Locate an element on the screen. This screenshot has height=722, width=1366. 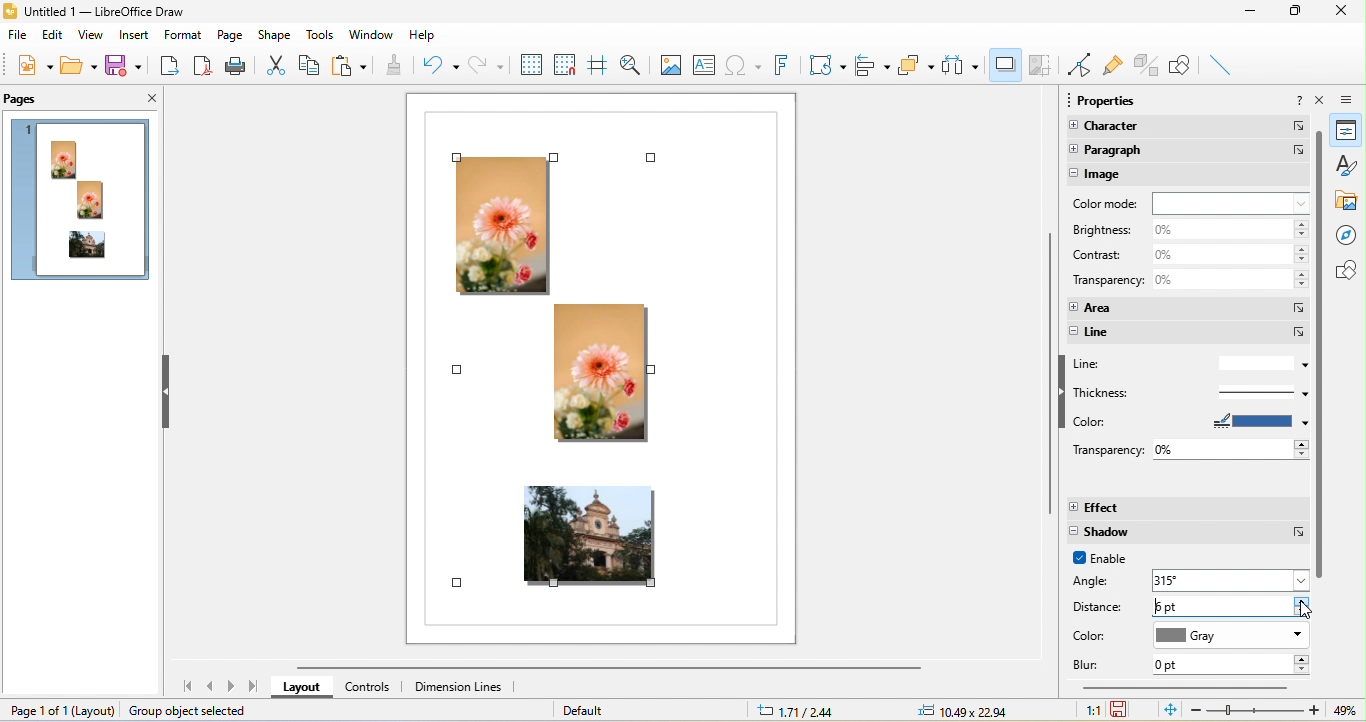
previous page is located at coordinates (211, 687).